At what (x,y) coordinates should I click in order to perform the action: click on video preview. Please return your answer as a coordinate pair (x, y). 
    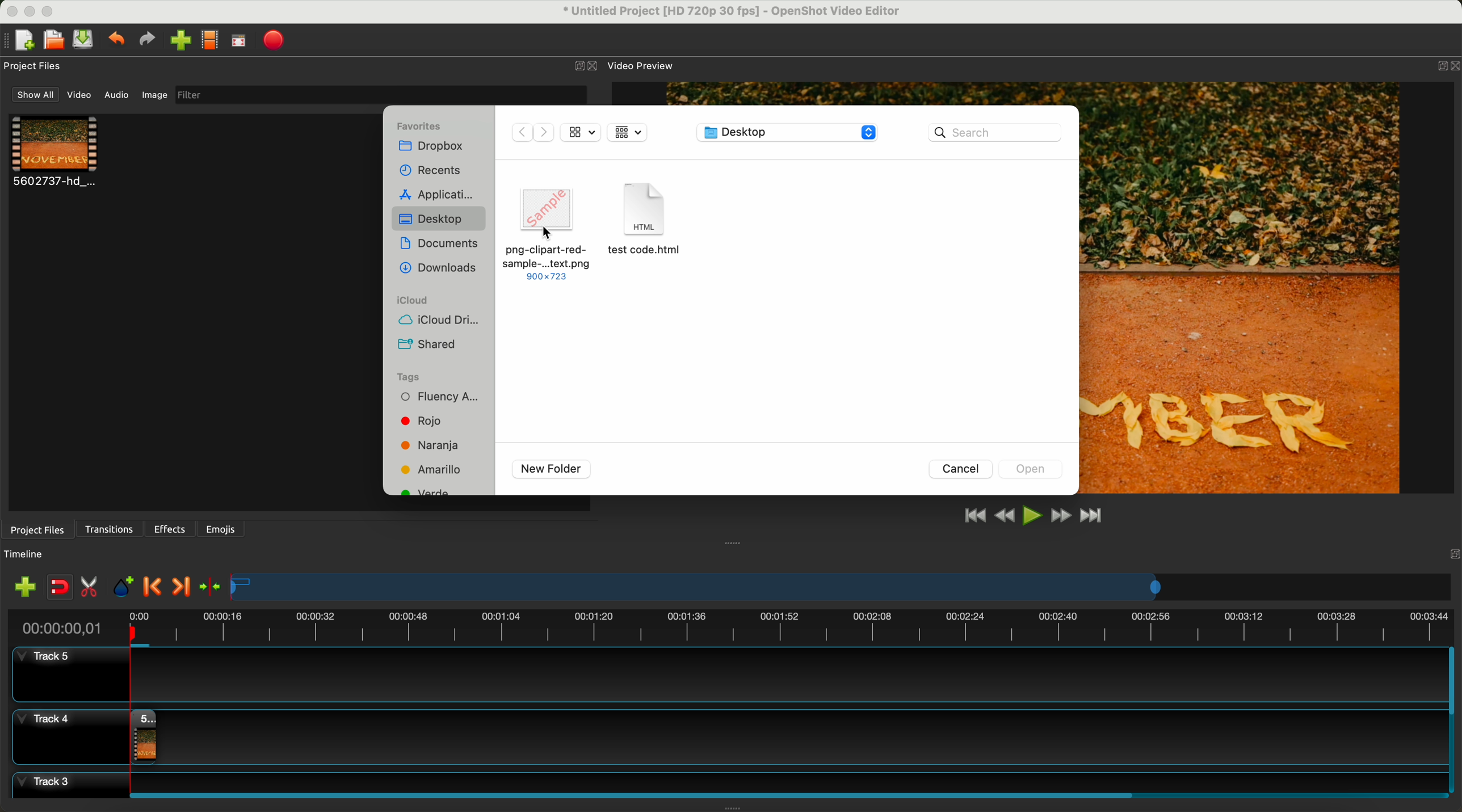
    Looking at the image, I should click on (640, 66).